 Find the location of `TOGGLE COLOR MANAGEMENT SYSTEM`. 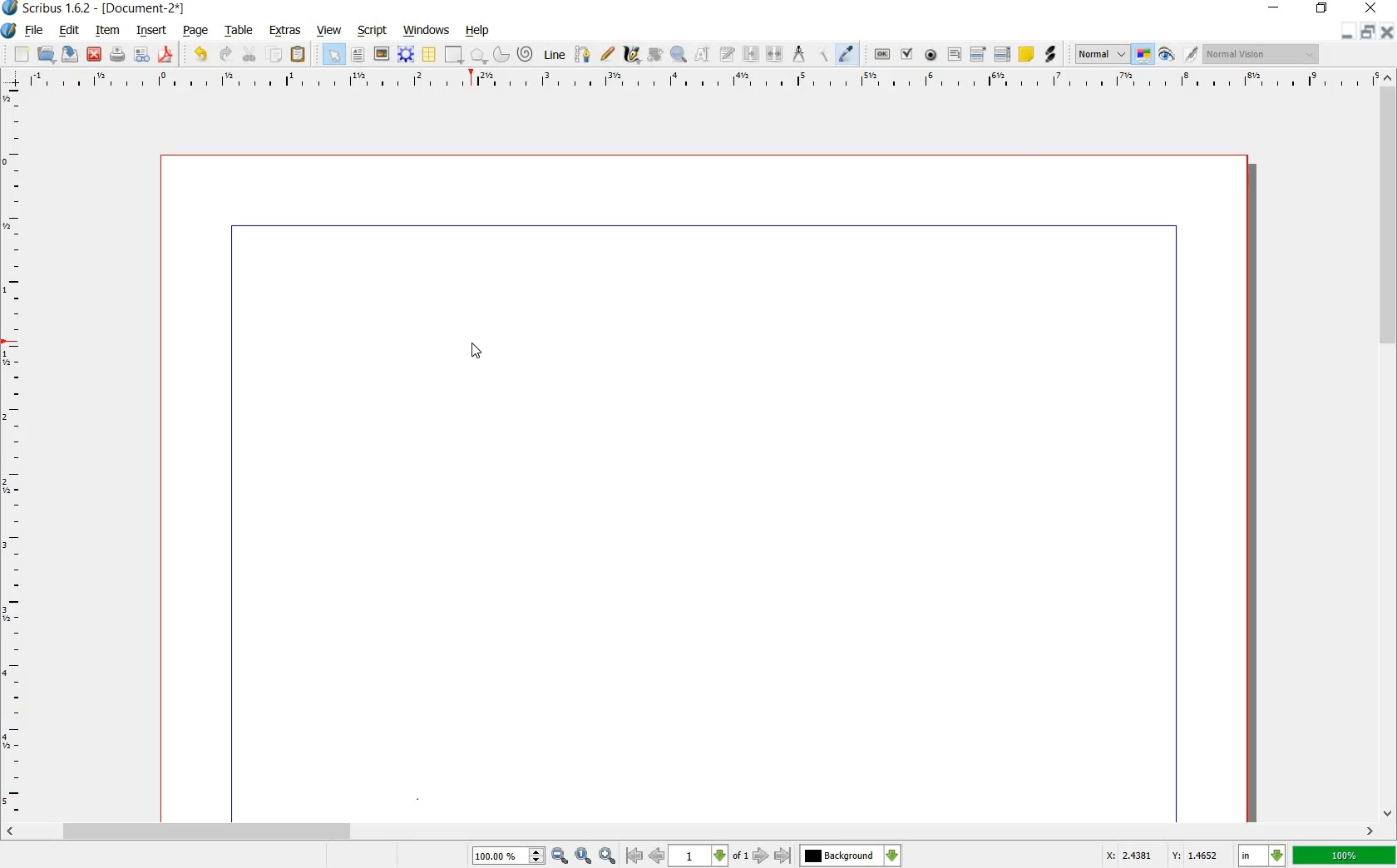

TOGGLE COLOR MANAGEMENT SYSTEM is located at coordinates (1145, 56).